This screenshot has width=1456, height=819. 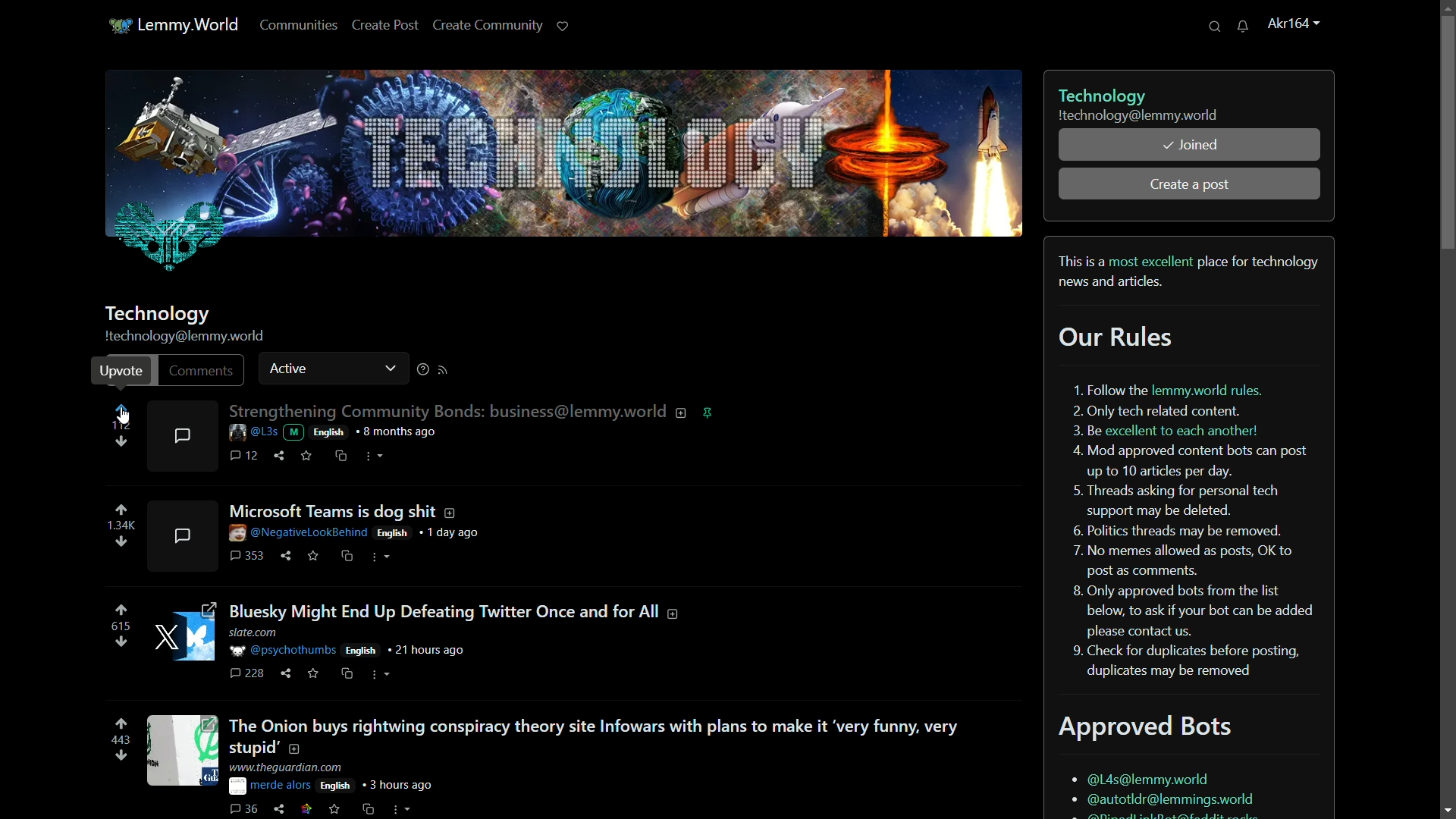 What do you see at coordinates (299, 27) in the screenshot?
I see `communities` at bounding box center [299, 27].